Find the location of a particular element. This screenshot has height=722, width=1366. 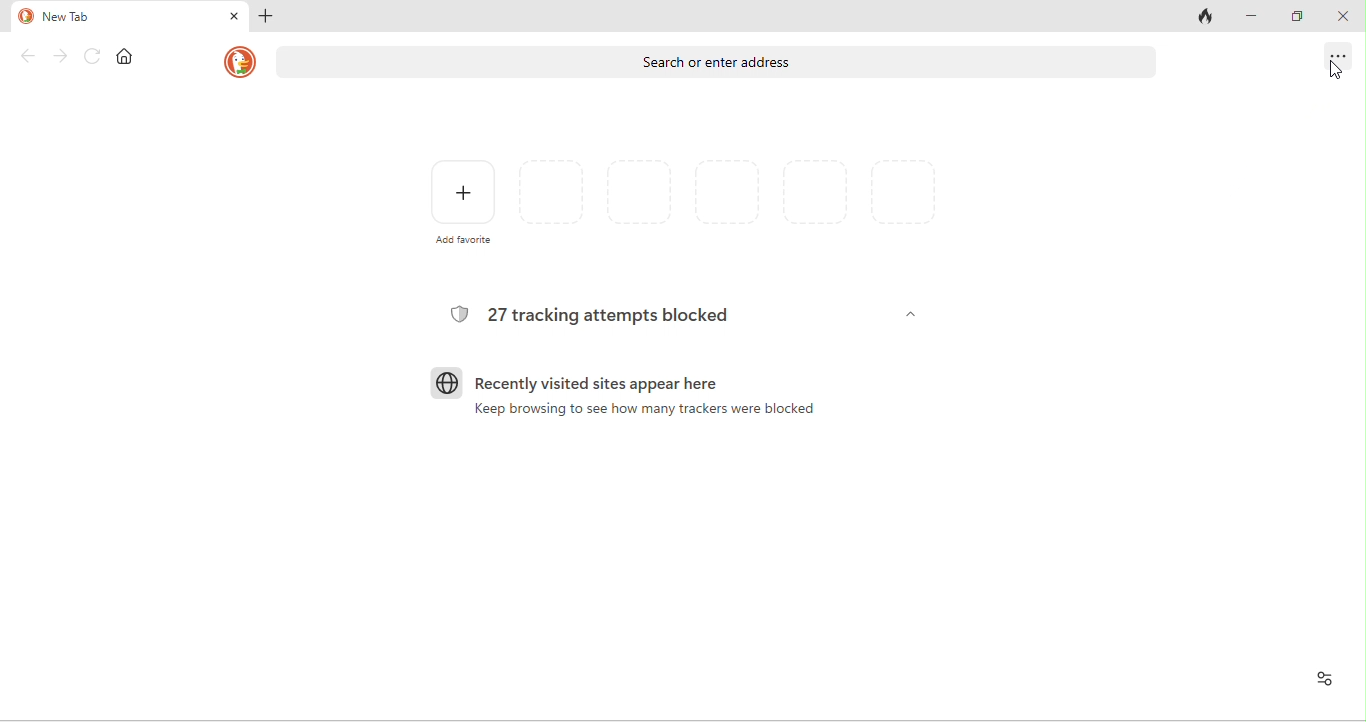

minimize is located at coordinates (1253, 15).